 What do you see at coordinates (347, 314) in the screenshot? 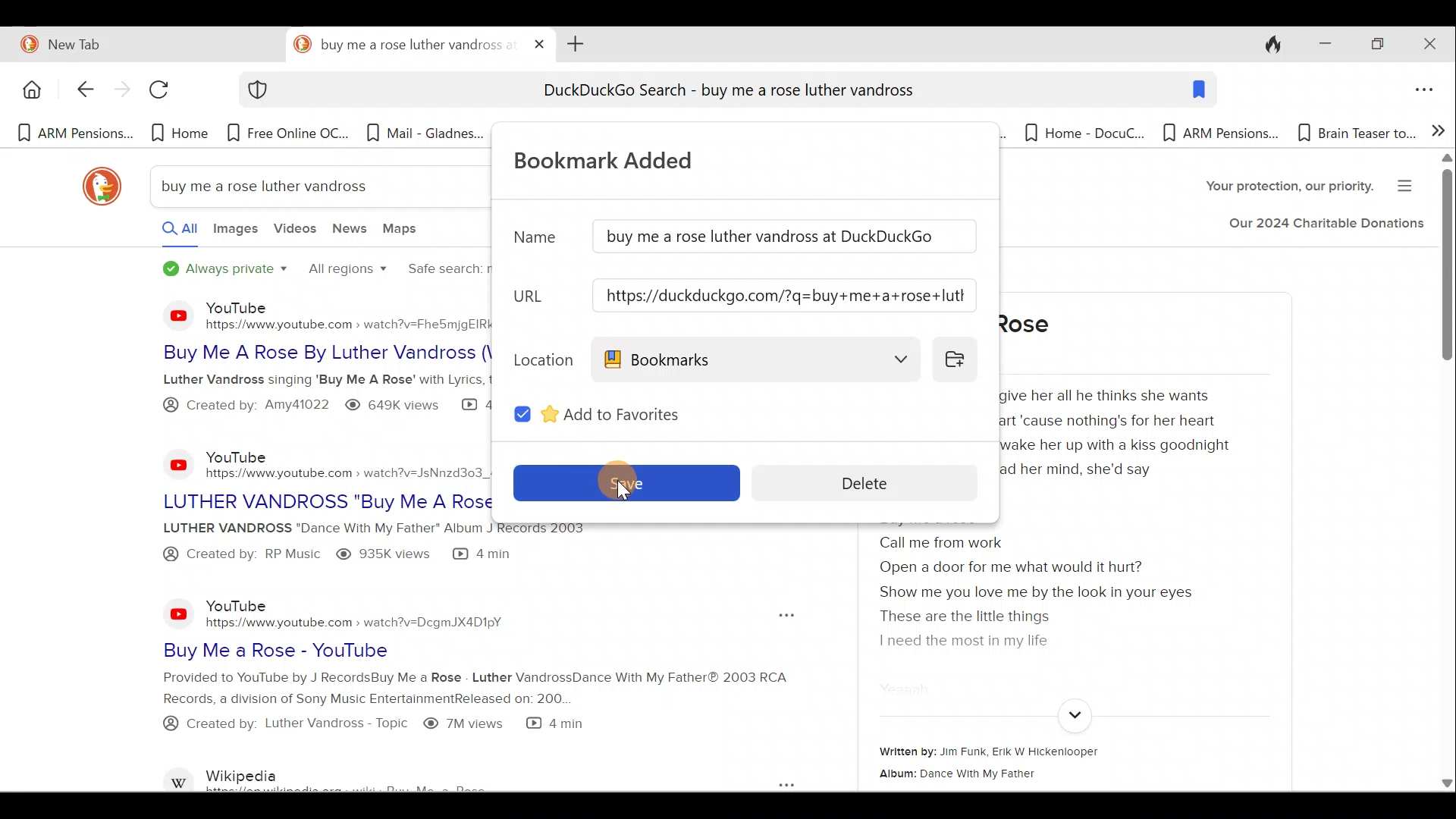
I see `YouTube - https://www.youtube.com » watch?v=Fhe5mjgEIRk` at bounding box center [347, 314].